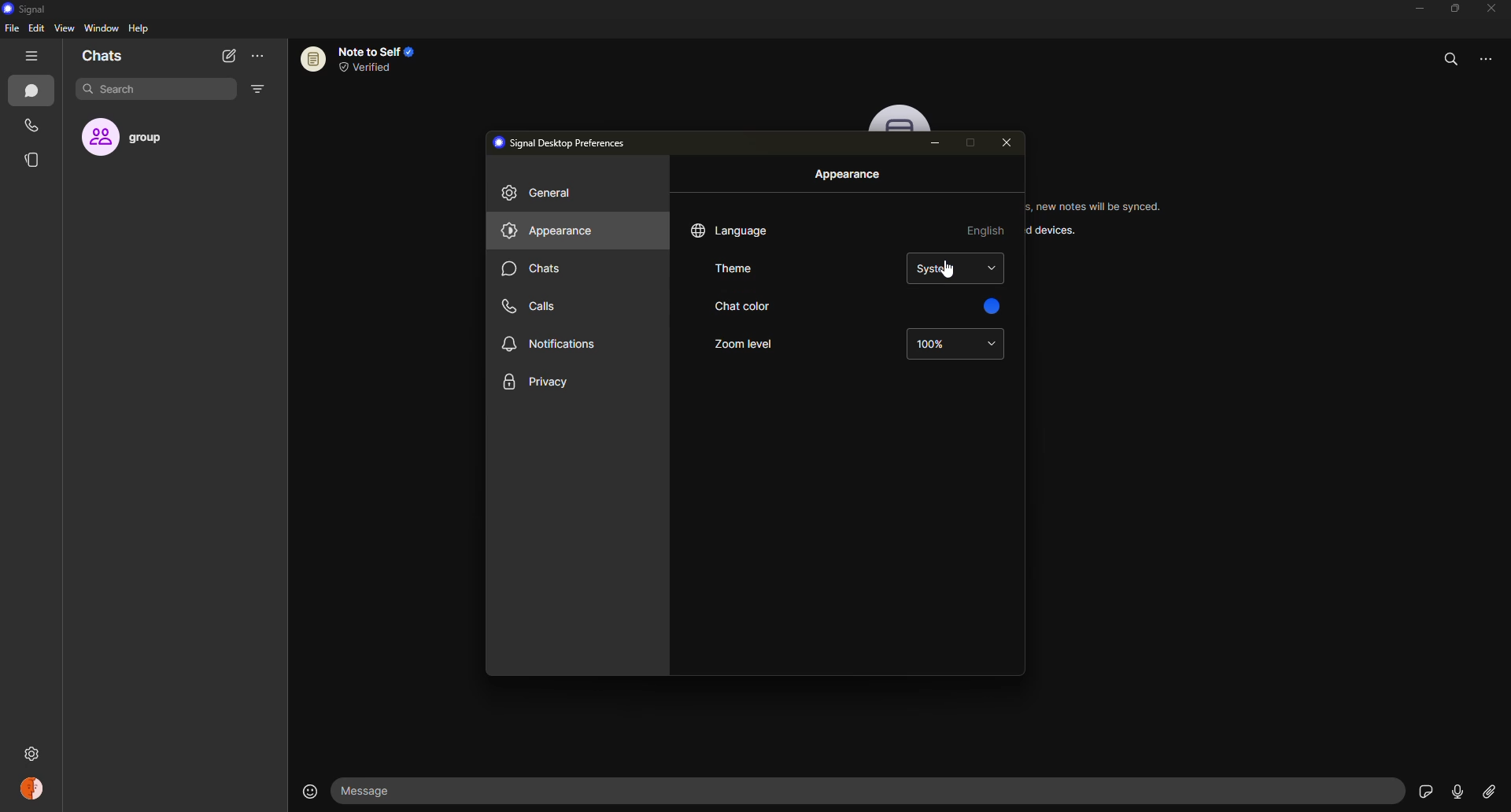 This screenshot has height=812, width=1511. What do you see at coordinates (36, 28) in the screenshot?
I see `edit` at bounding box center [36, 28].